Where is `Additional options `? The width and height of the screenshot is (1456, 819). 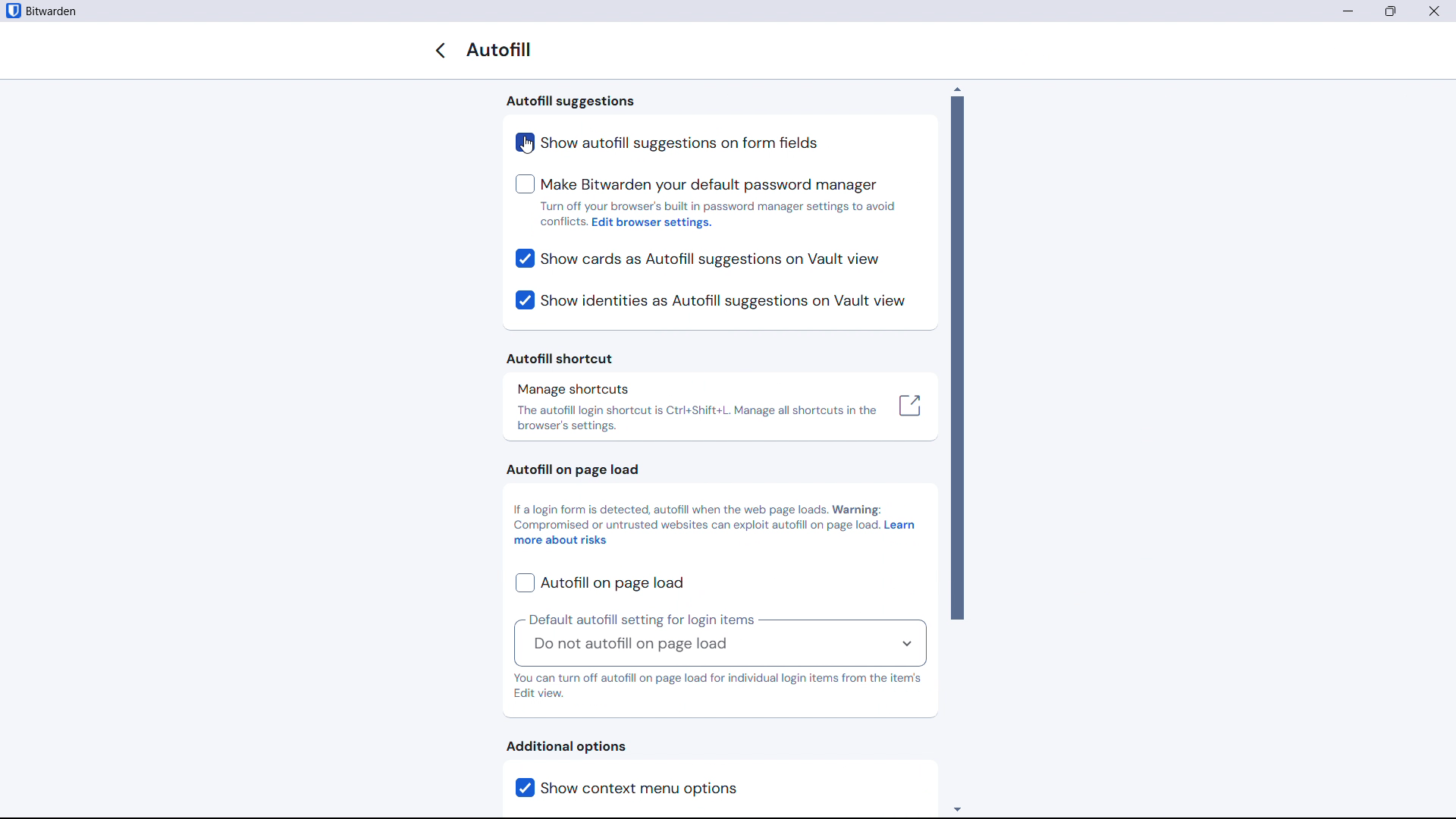
Additional options  is located at coordinates (566, 746).